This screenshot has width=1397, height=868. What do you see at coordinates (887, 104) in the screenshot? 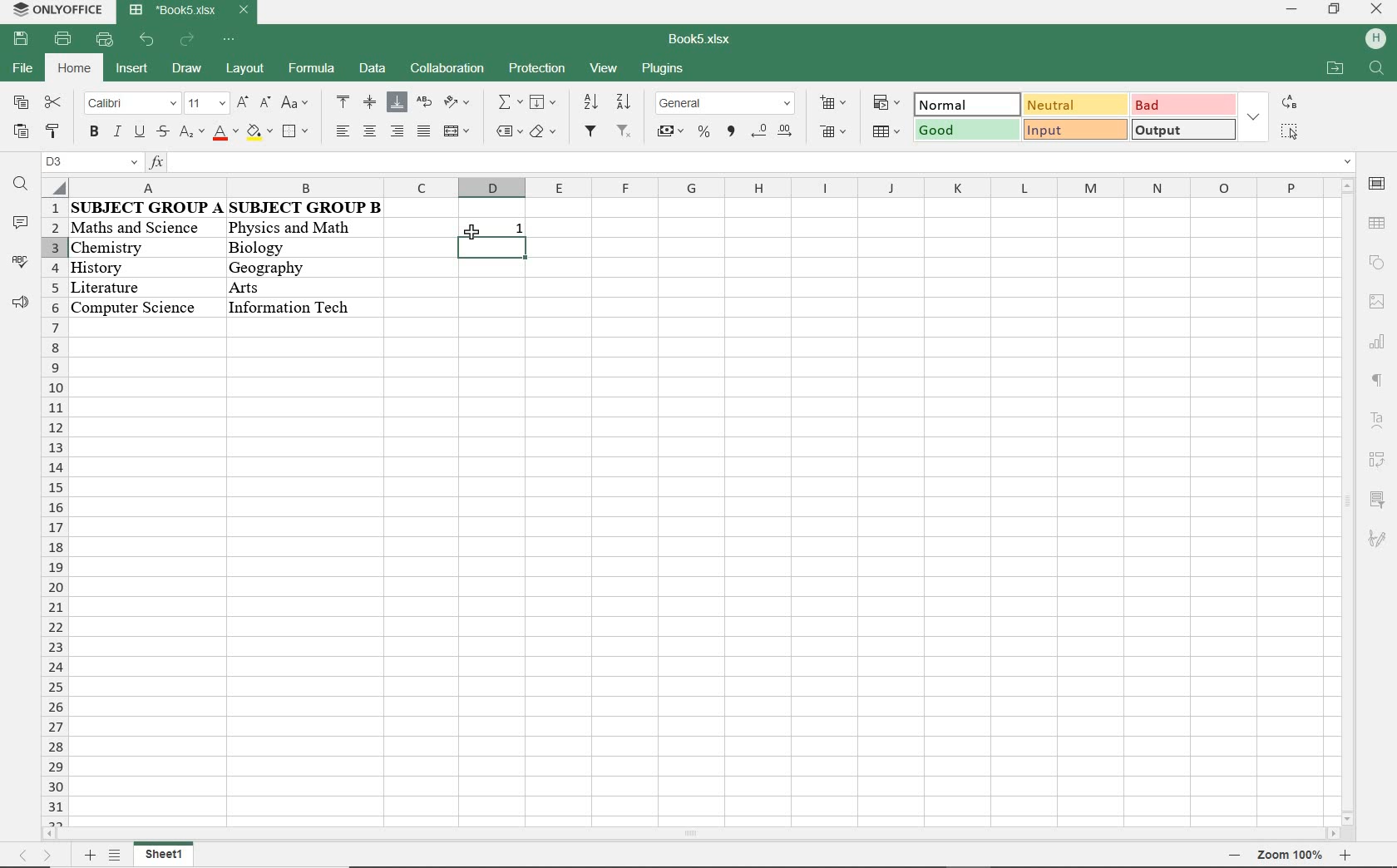
I see `conditional formatting` at bounding box center [887, 104].